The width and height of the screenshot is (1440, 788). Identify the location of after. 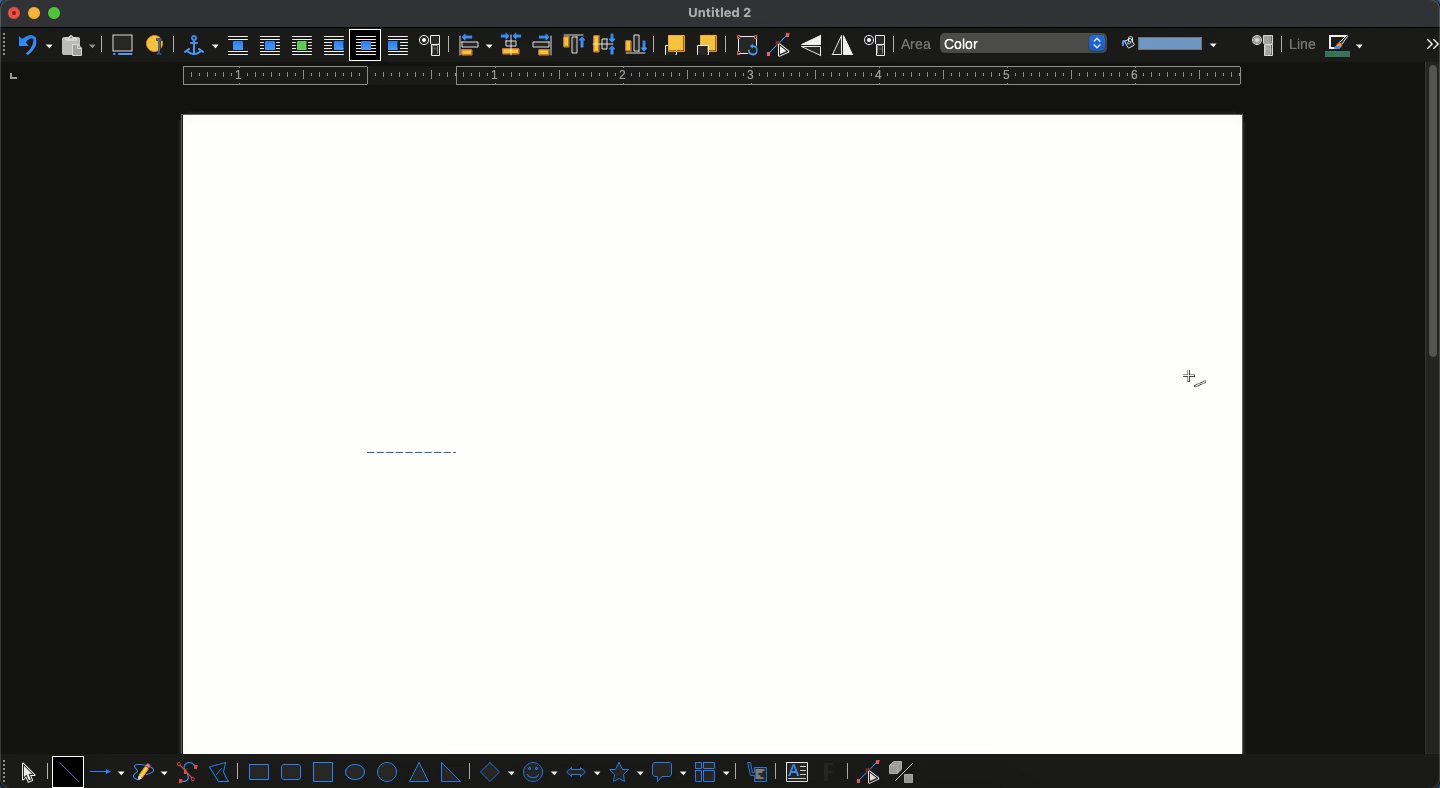
(397, 45).